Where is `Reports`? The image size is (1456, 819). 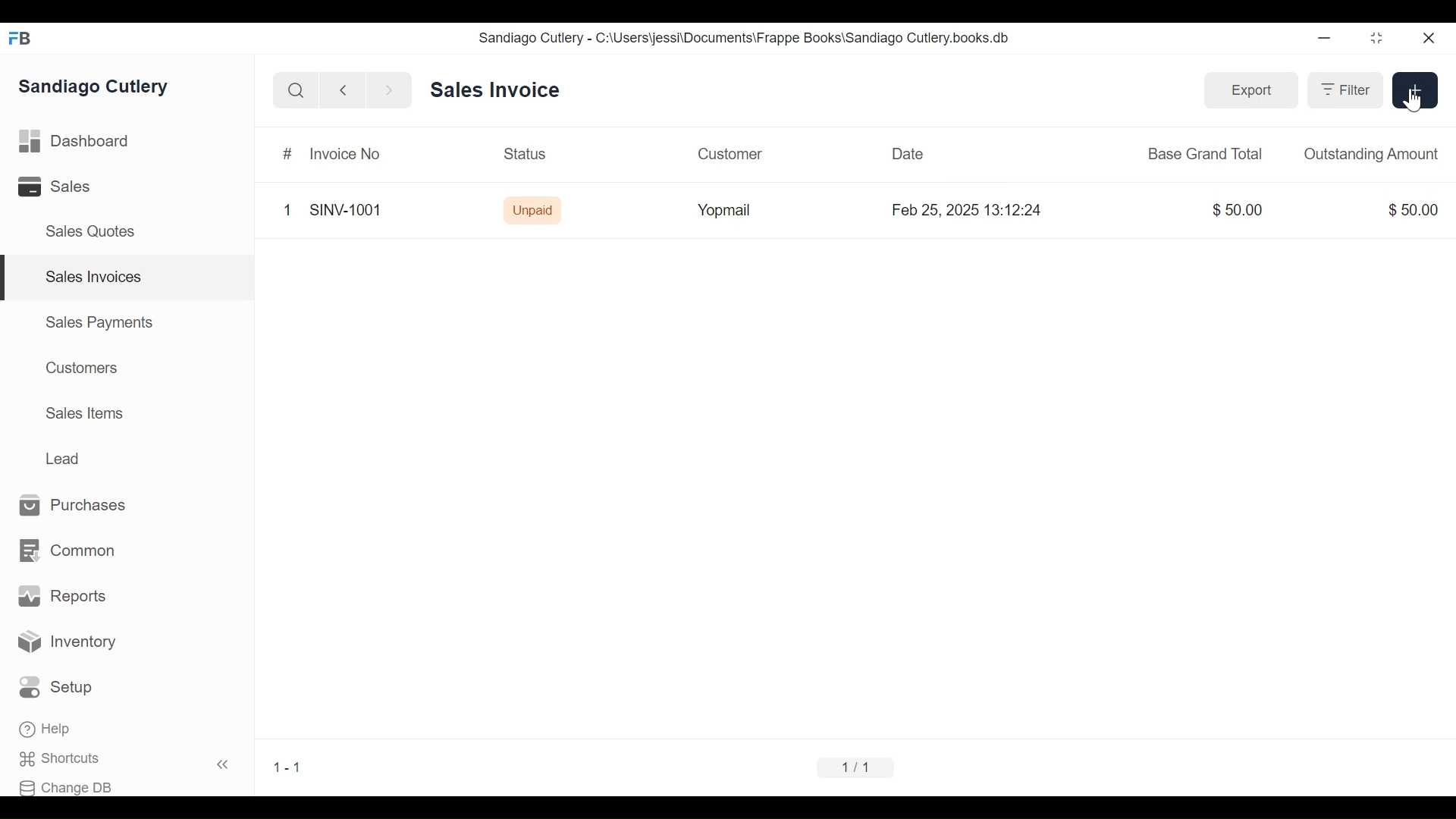 Reports is located at coordinates (62, 596).